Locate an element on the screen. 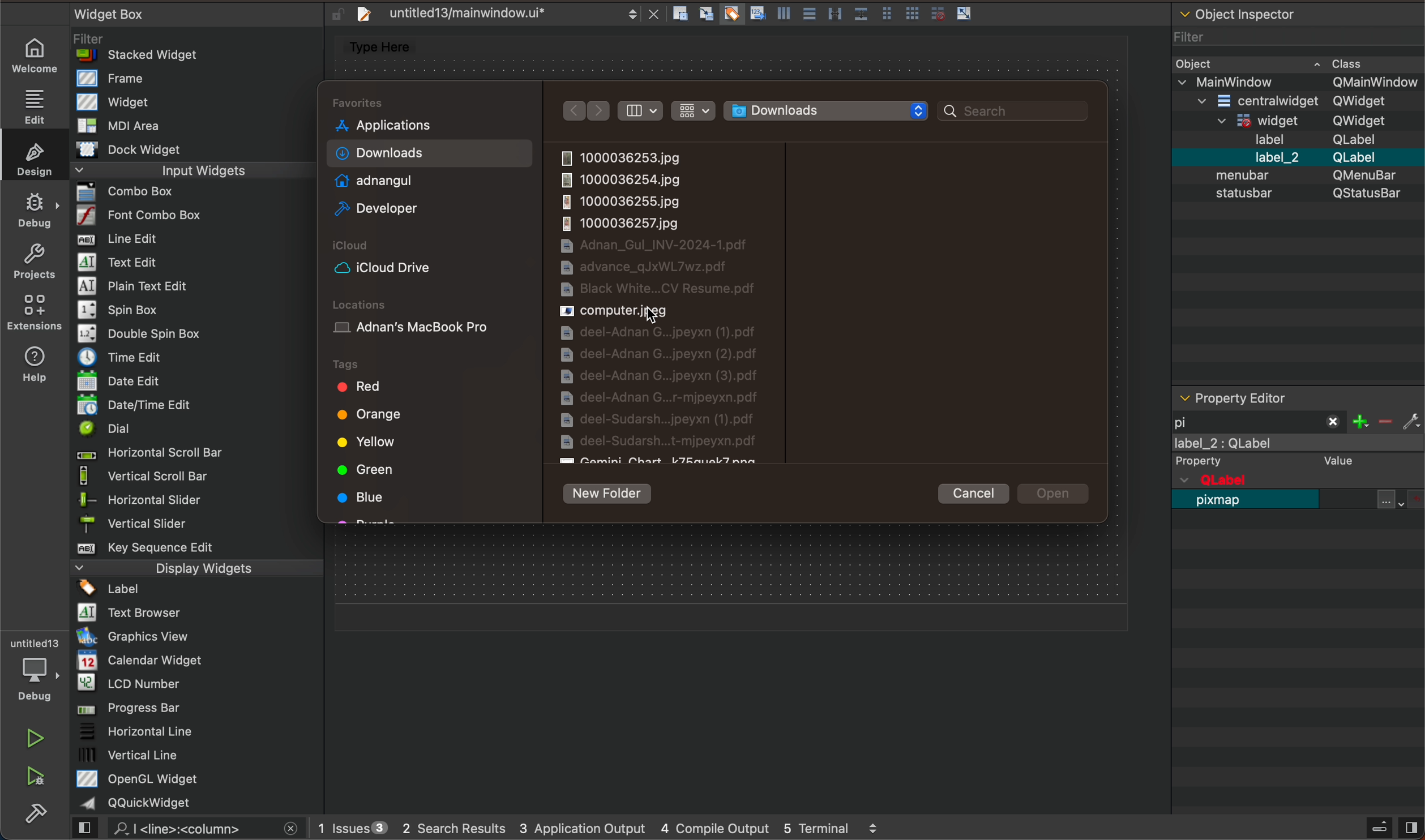 The width and height of the screenshot is (1425, 840). search is located at coordinates (192, 829).